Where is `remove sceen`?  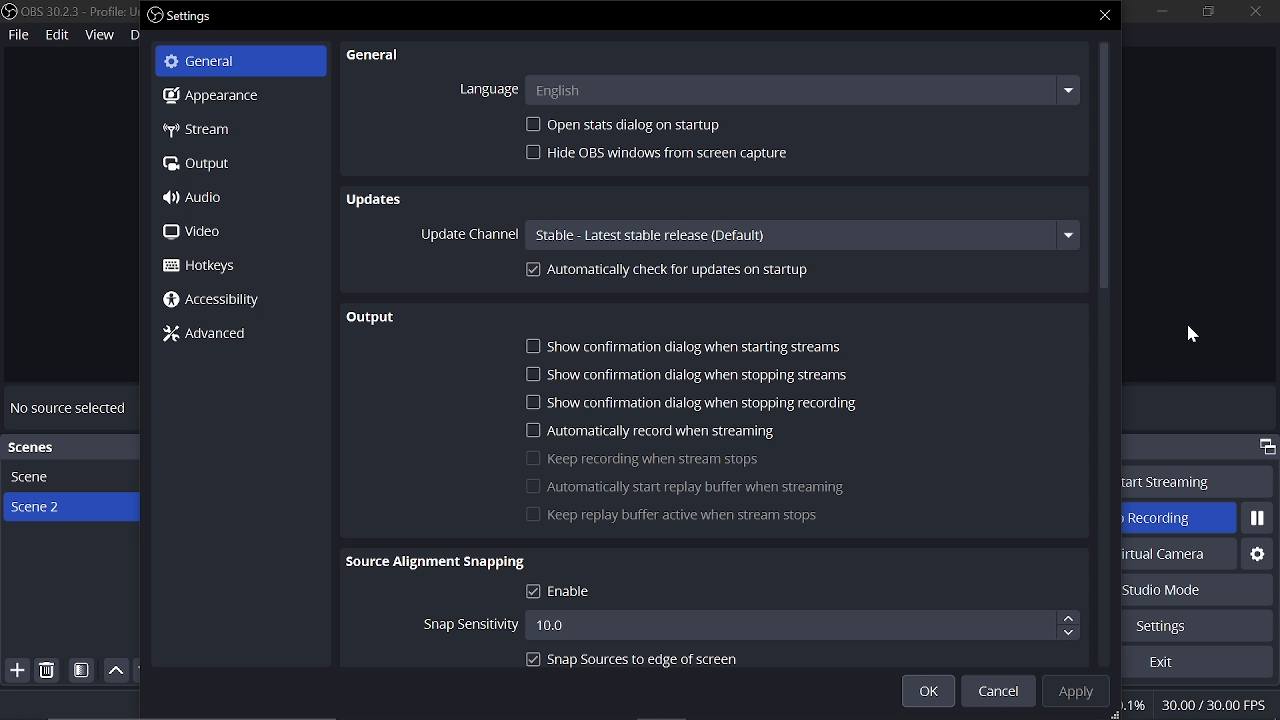
remove sceen is located at coordinates (48, 671).